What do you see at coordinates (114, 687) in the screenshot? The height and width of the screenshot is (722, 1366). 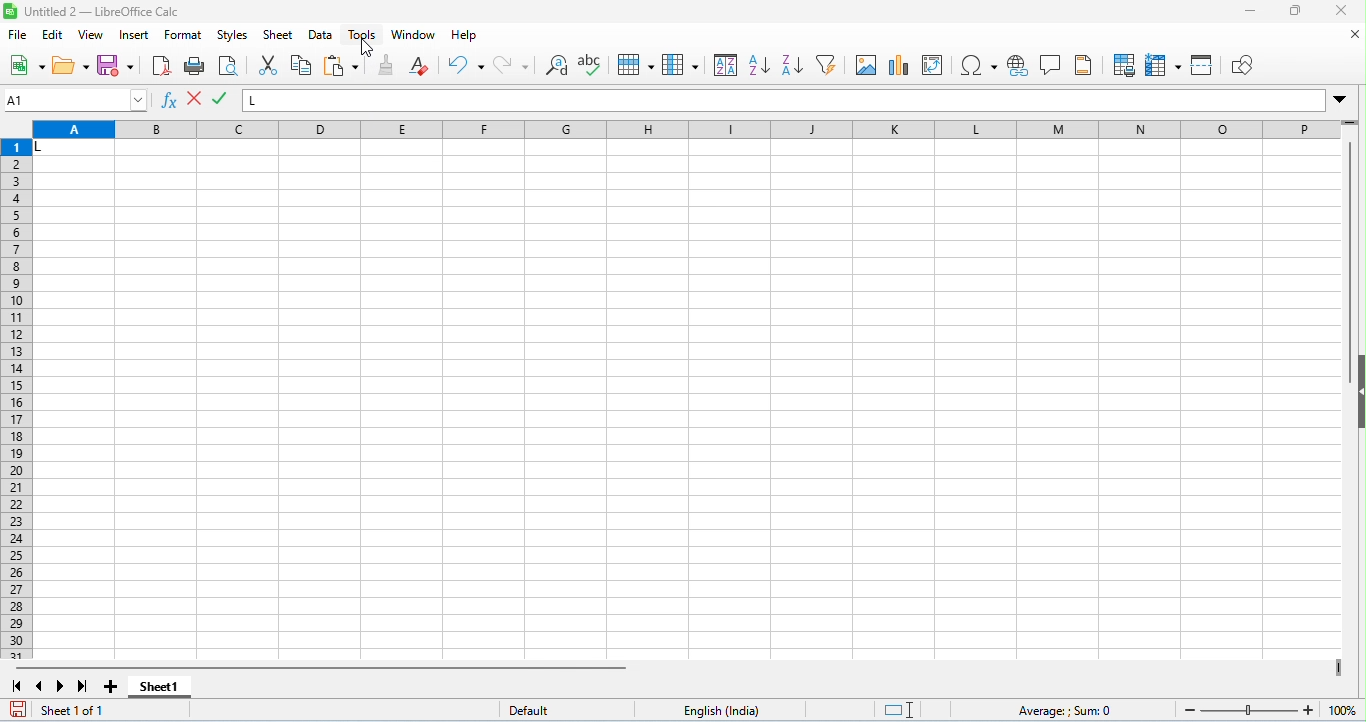 I see `add sheet` at bounding box center [114, 687].